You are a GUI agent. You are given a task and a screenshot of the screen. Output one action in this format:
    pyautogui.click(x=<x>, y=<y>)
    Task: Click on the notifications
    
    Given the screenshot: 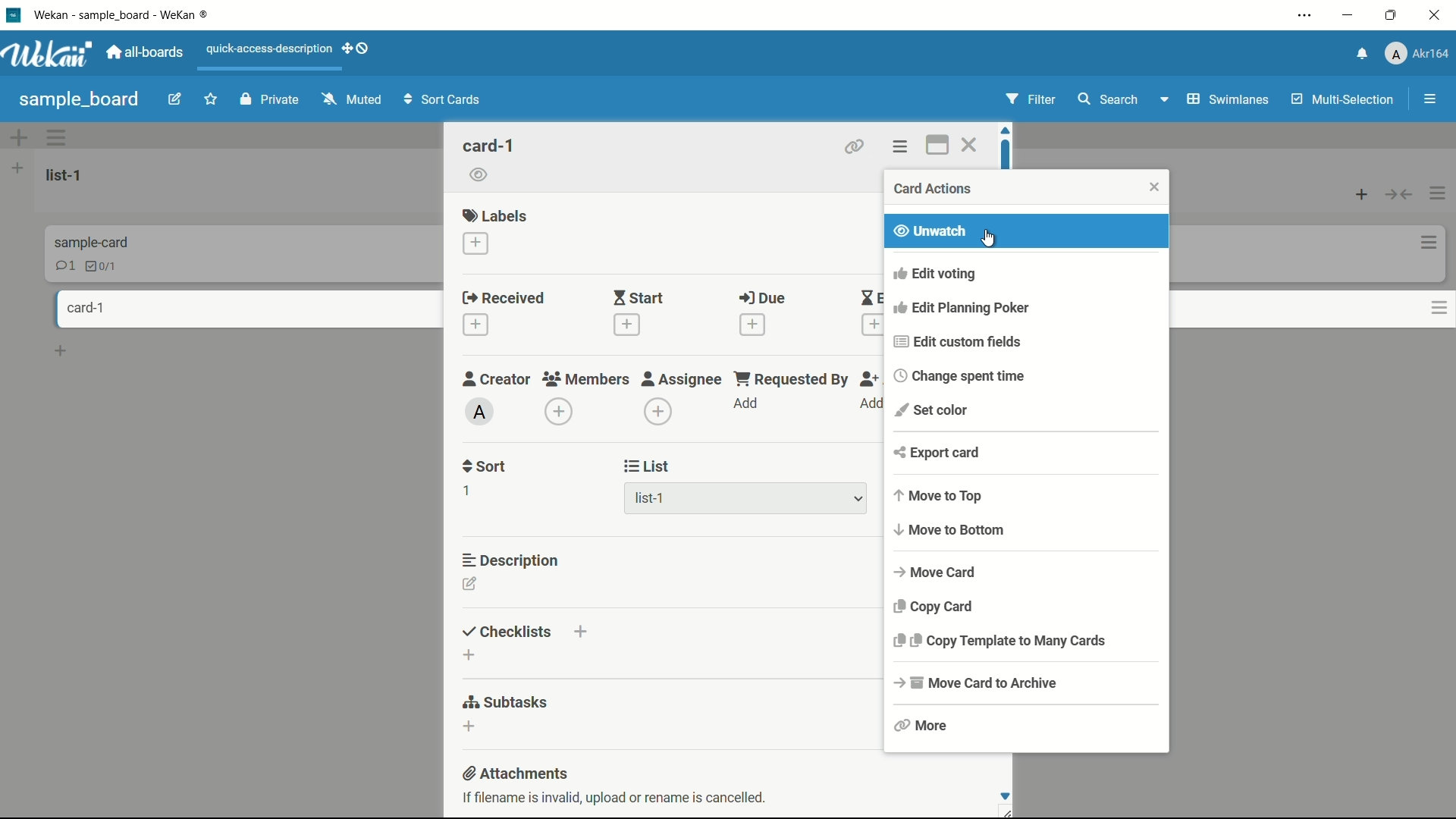 What is the action you would take?
    pyautogui.click(x=1363, y=53)
    